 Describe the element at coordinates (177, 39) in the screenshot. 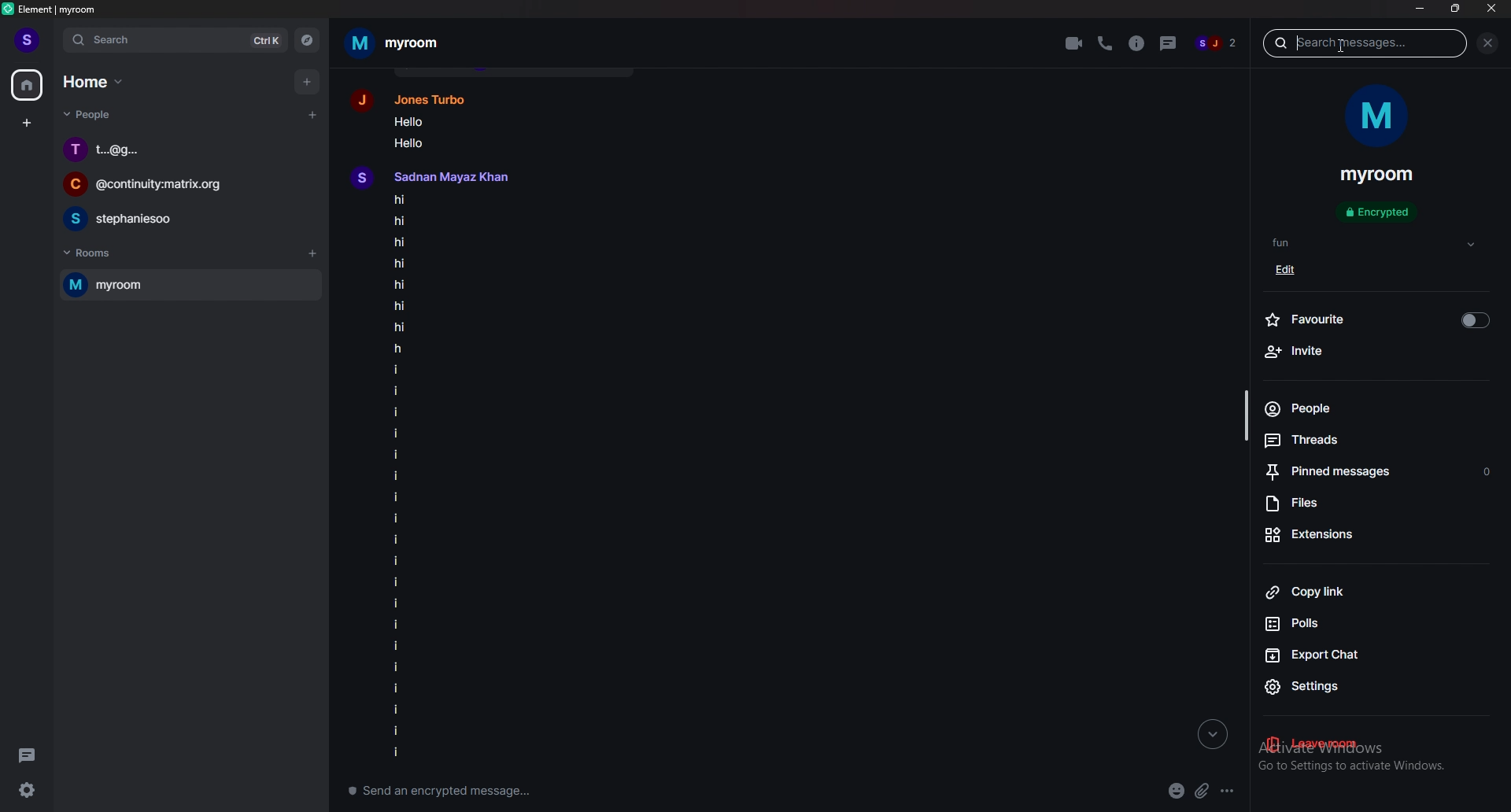

I see `search` at that location.